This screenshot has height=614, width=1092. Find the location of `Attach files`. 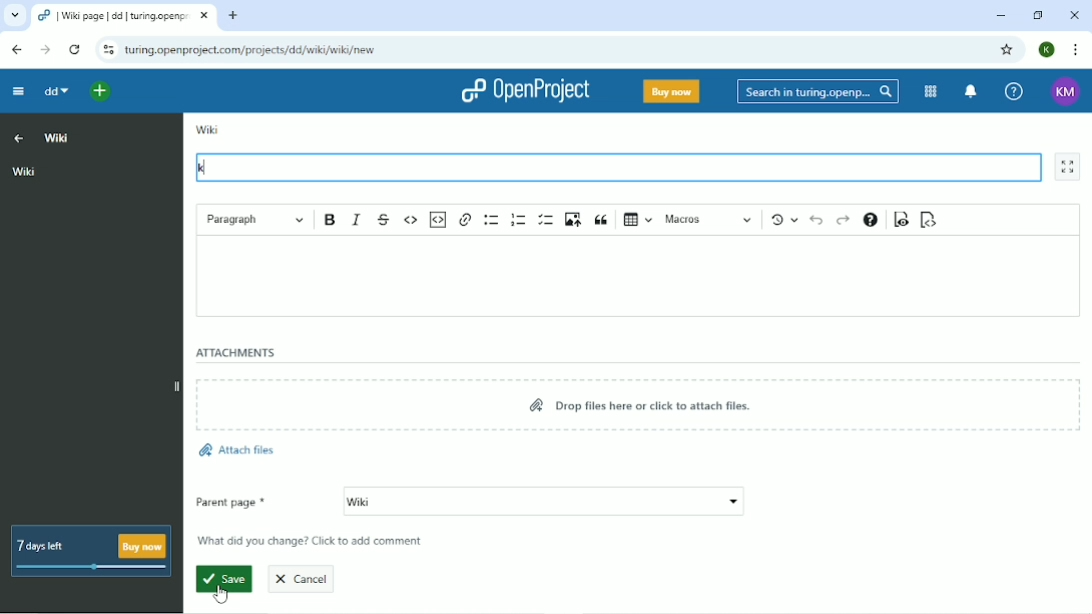

Attach files is located at coordinates (240, 449).